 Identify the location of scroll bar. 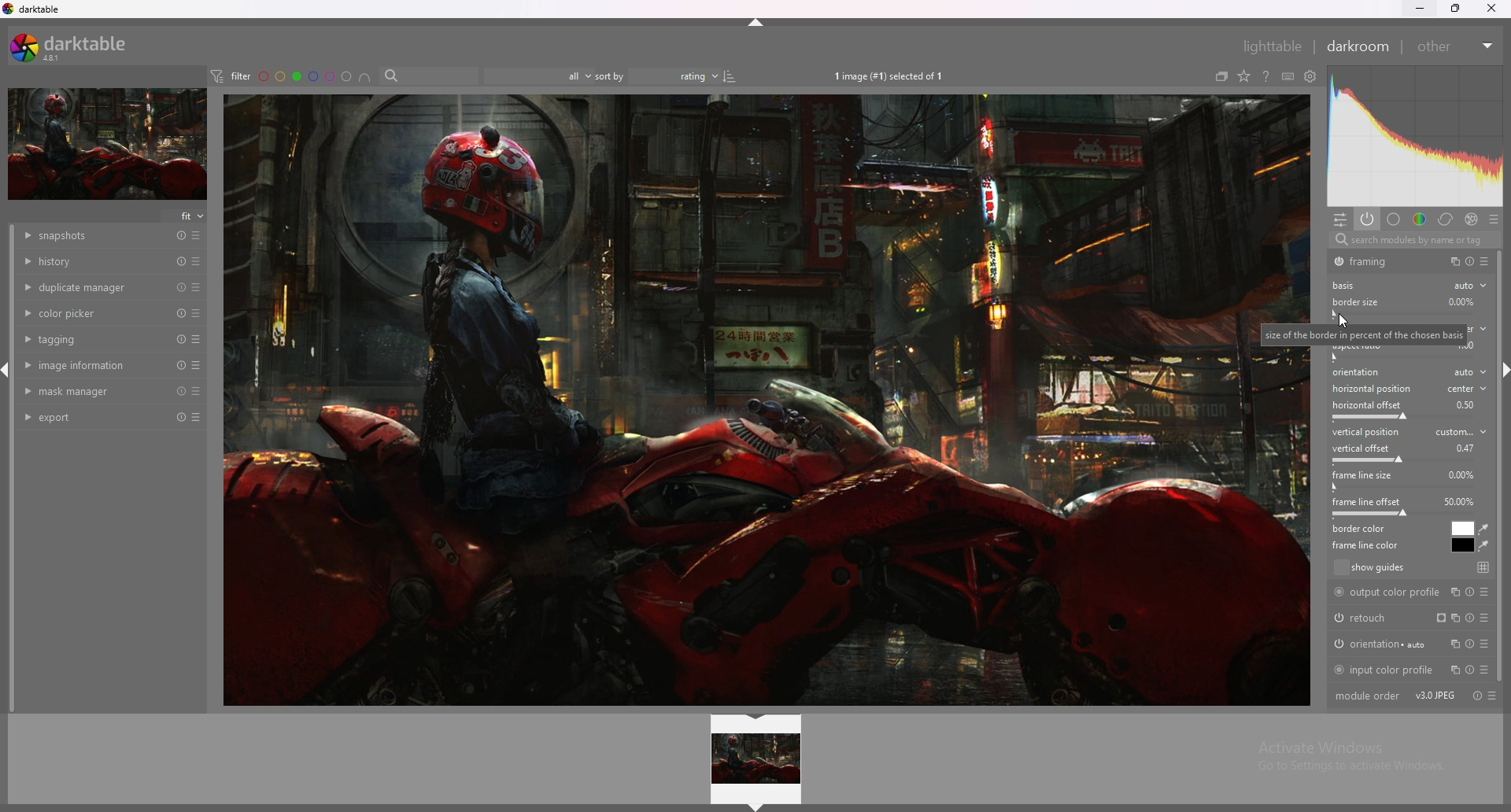
(14, 469).